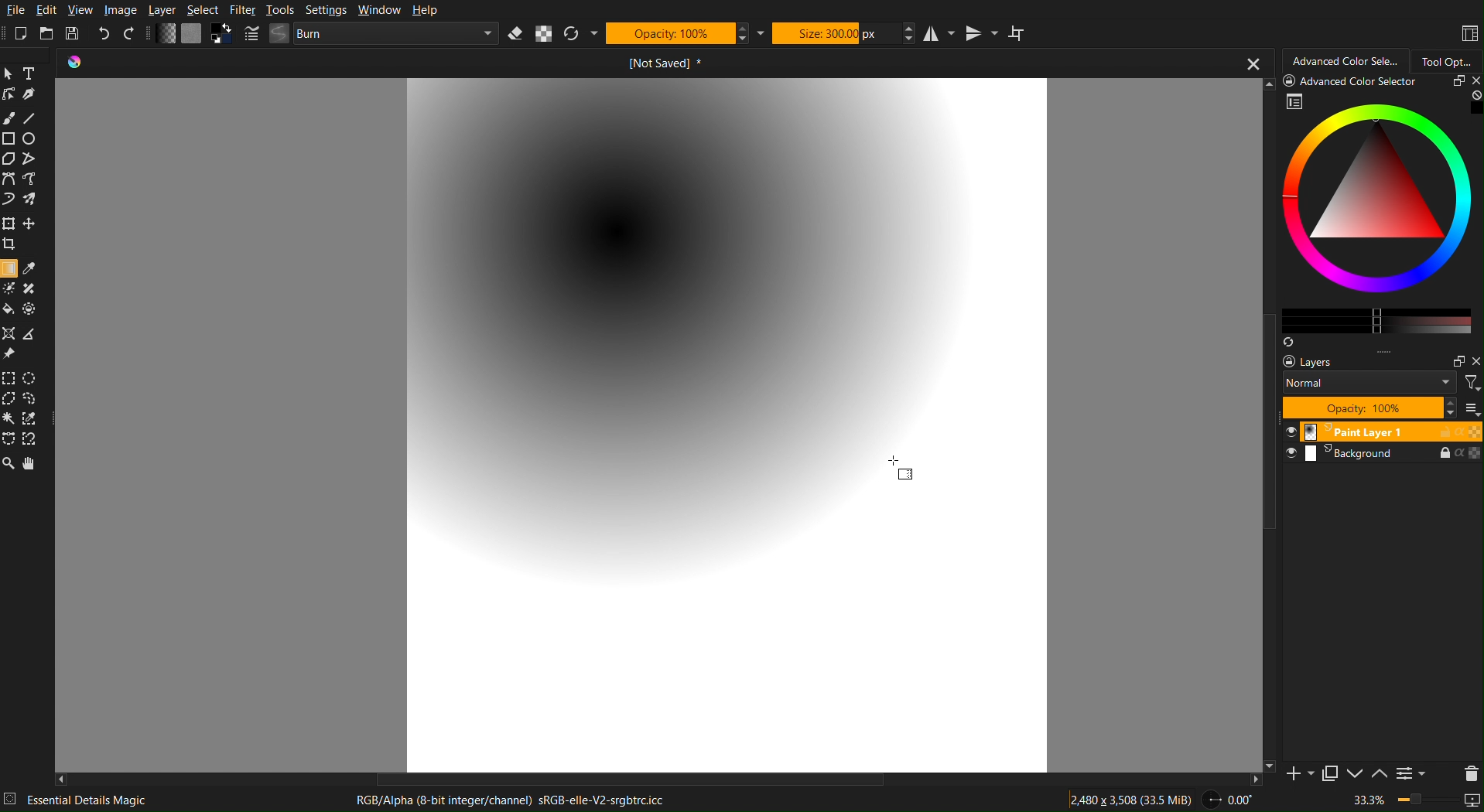 The width and height of the screenshot is (1484, 812). What do you see at coordinates (894, 459) in the screenshot?
I see `Cursor` at bounding box center [894, 459].